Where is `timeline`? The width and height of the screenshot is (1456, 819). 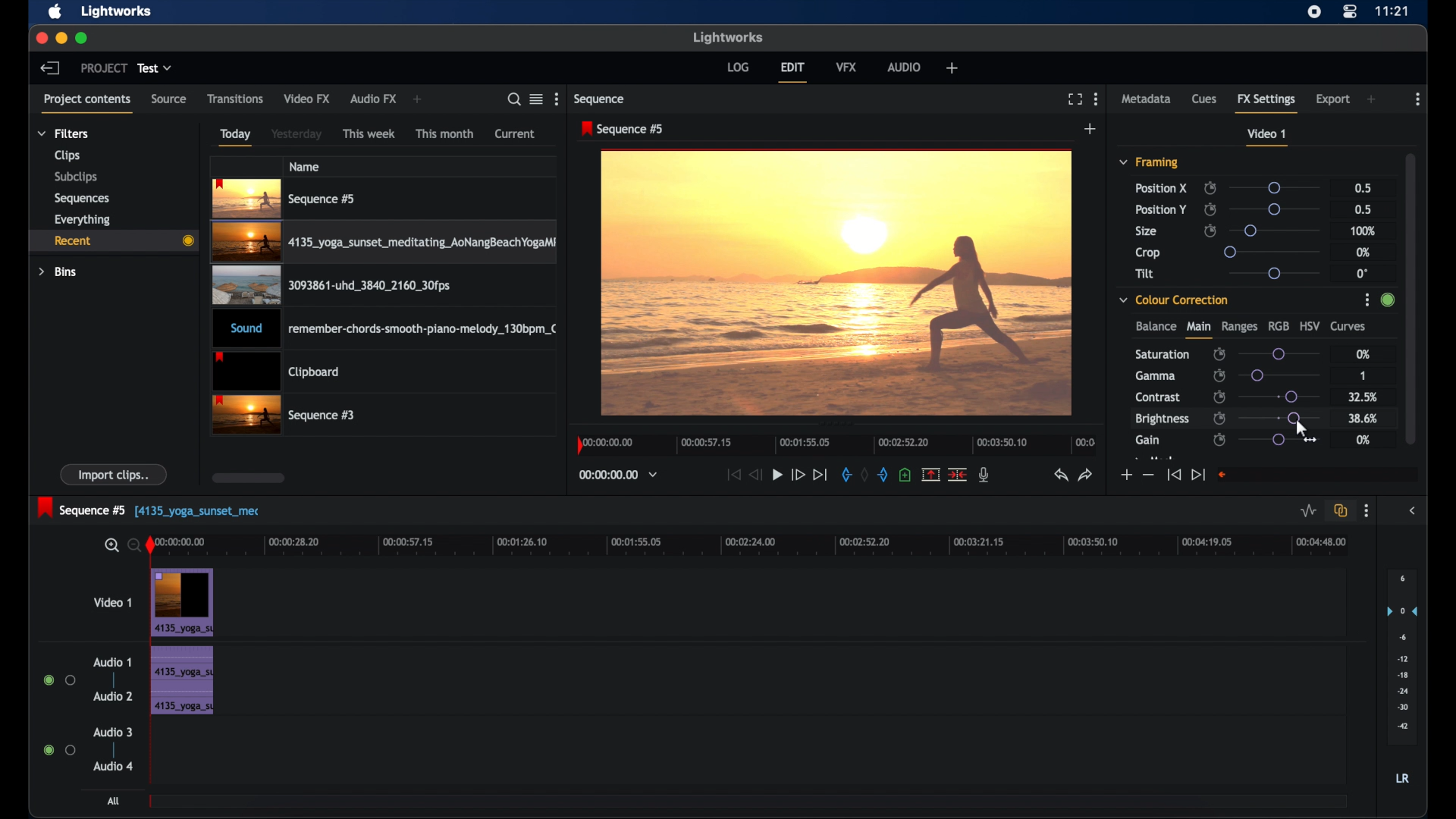
timeline is located at coordinates (830, 445).